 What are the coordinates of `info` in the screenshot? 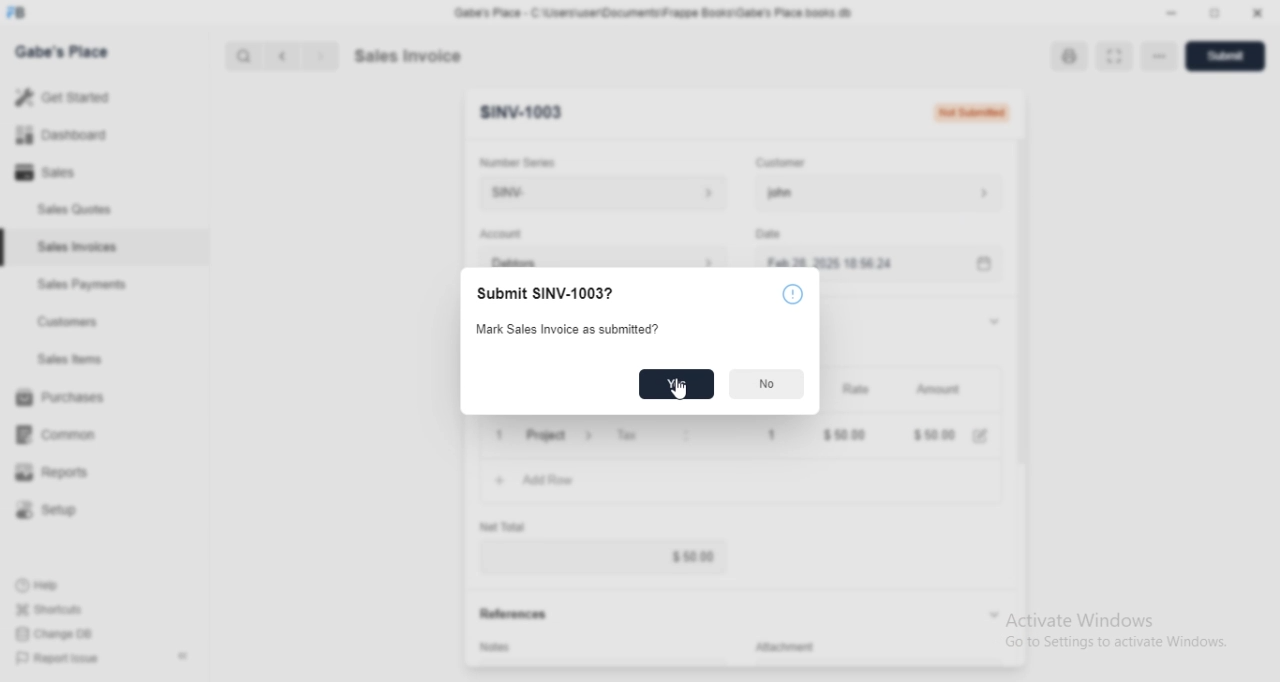 It's located at (792, 293).